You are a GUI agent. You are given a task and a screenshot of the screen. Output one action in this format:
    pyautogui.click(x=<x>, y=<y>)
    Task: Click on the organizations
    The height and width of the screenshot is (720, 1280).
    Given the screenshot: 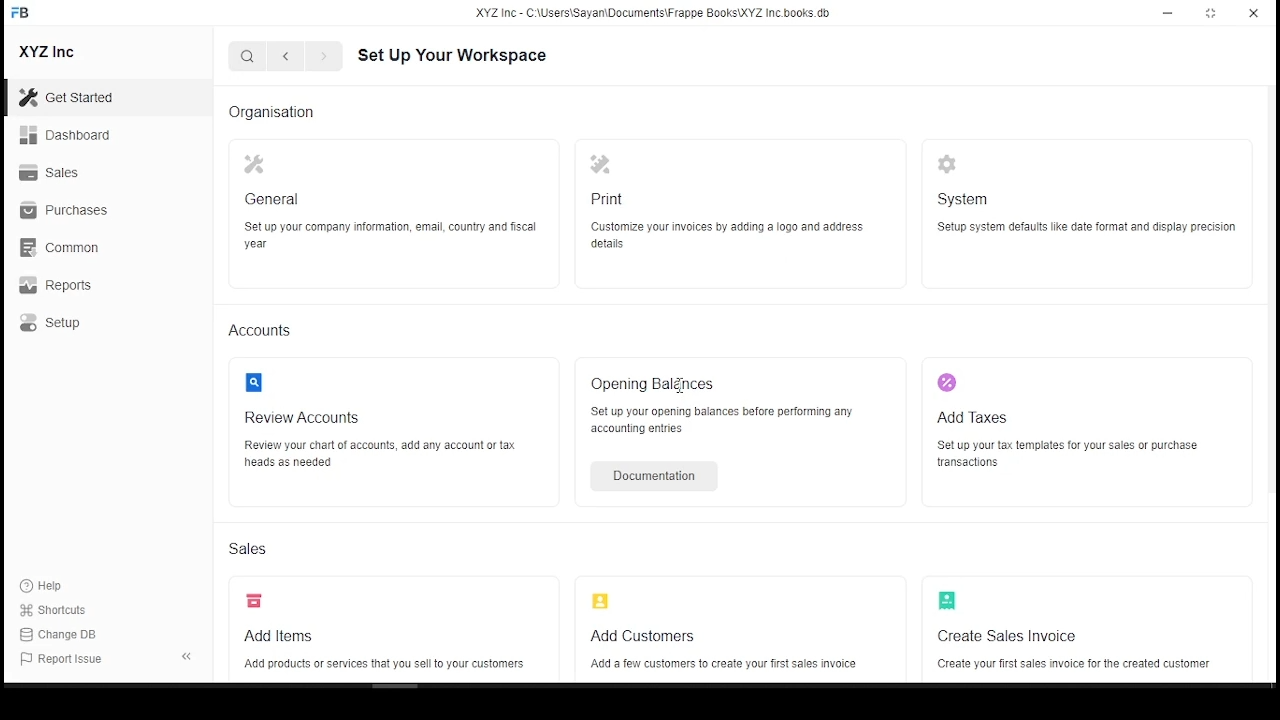 What is the action you would take?
    pyautogui.click(x=271, y=111)
    